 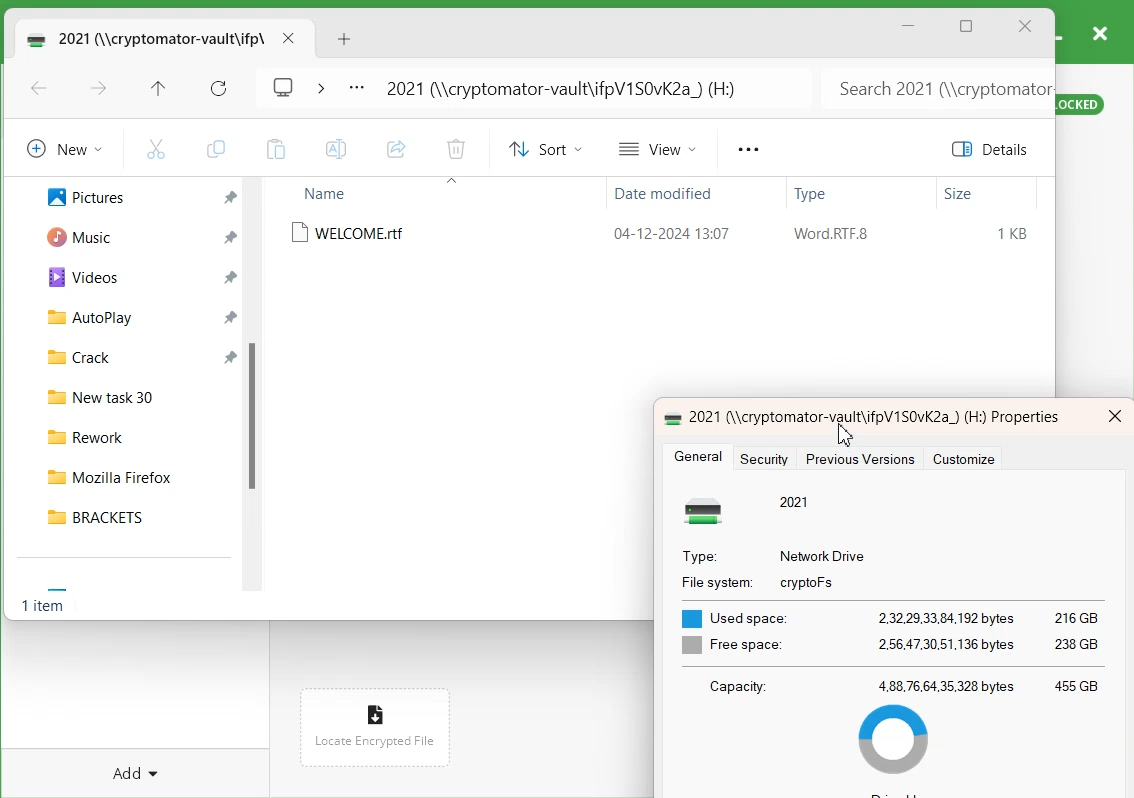 I want to click on File icon, so click(x=372, y=709).